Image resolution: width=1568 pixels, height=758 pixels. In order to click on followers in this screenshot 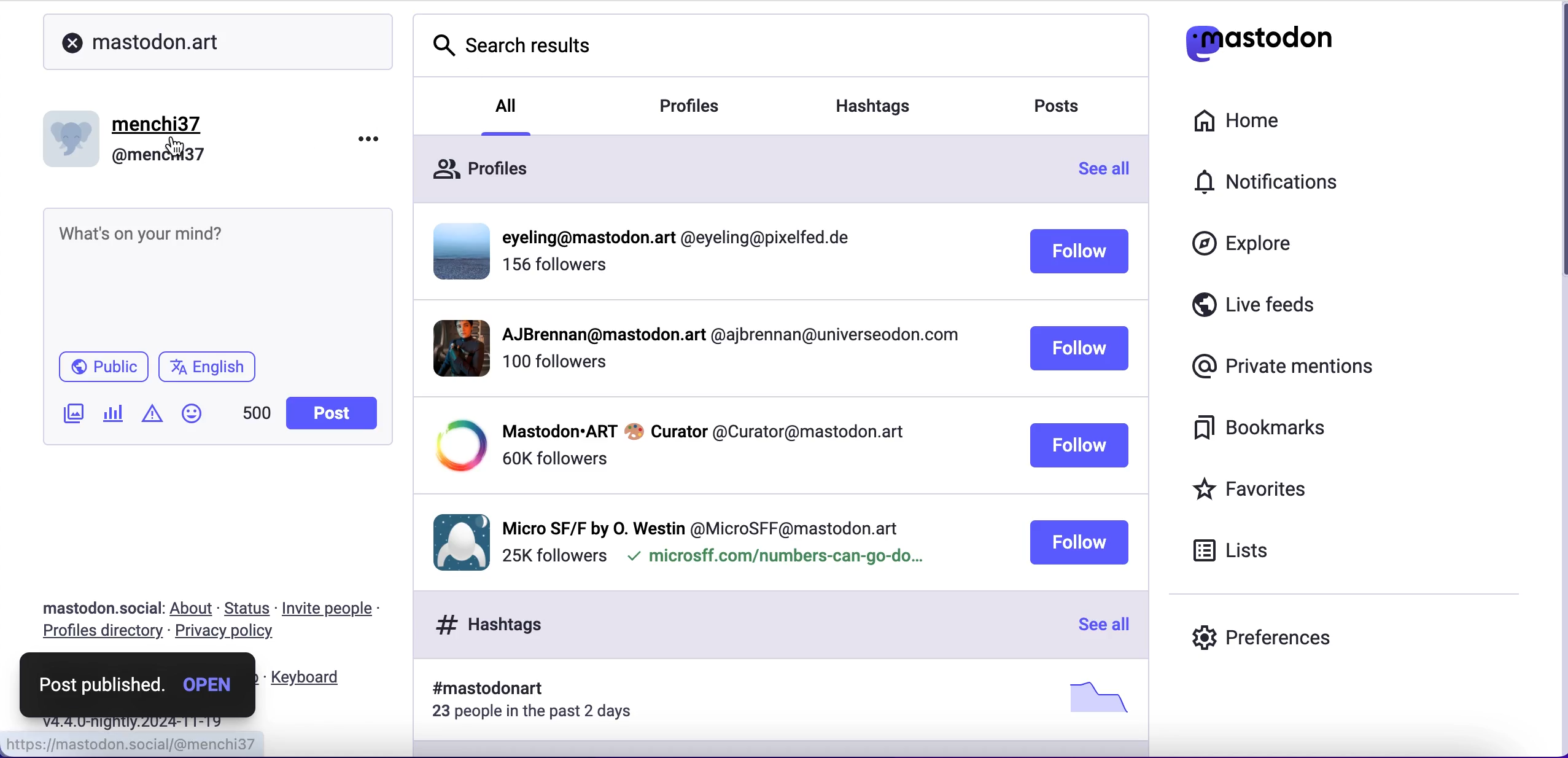, I will do `click(563, 460)`.